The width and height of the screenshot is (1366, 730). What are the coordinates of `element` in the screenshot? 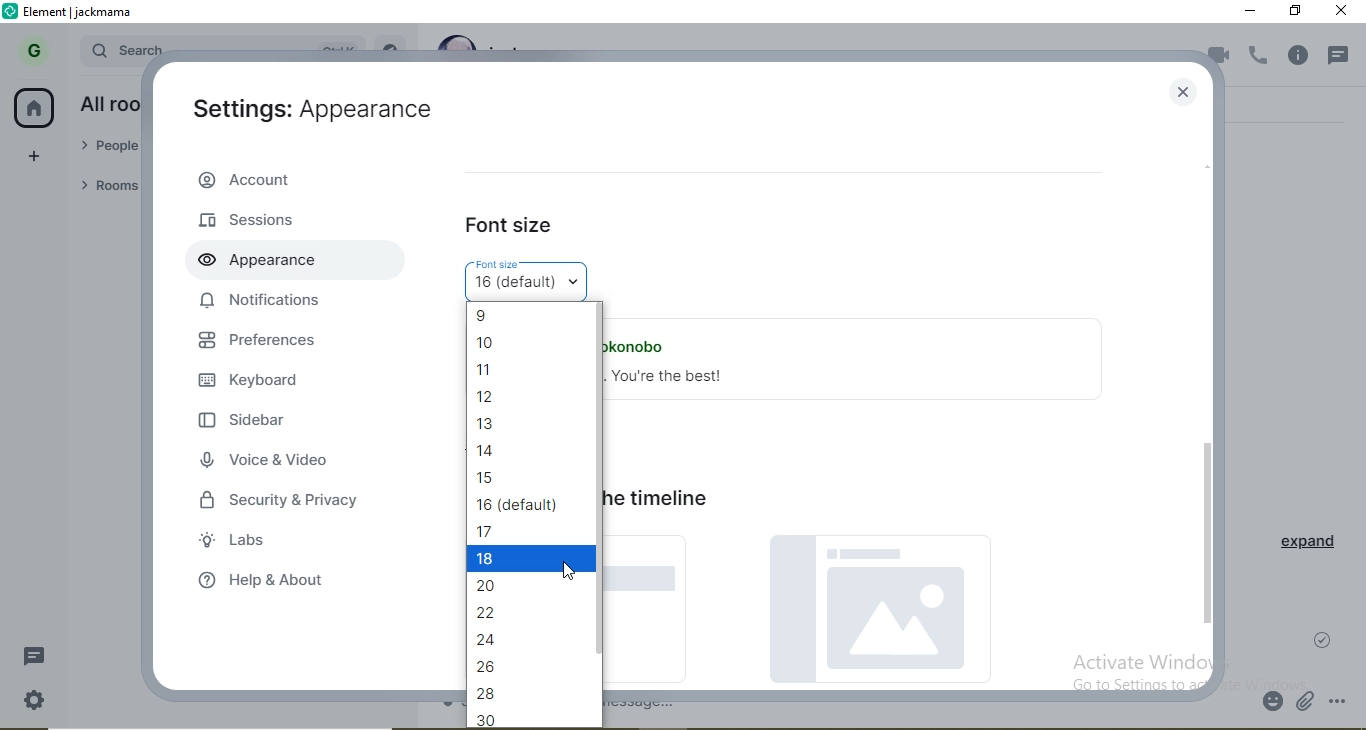 It's located at (79, 13).